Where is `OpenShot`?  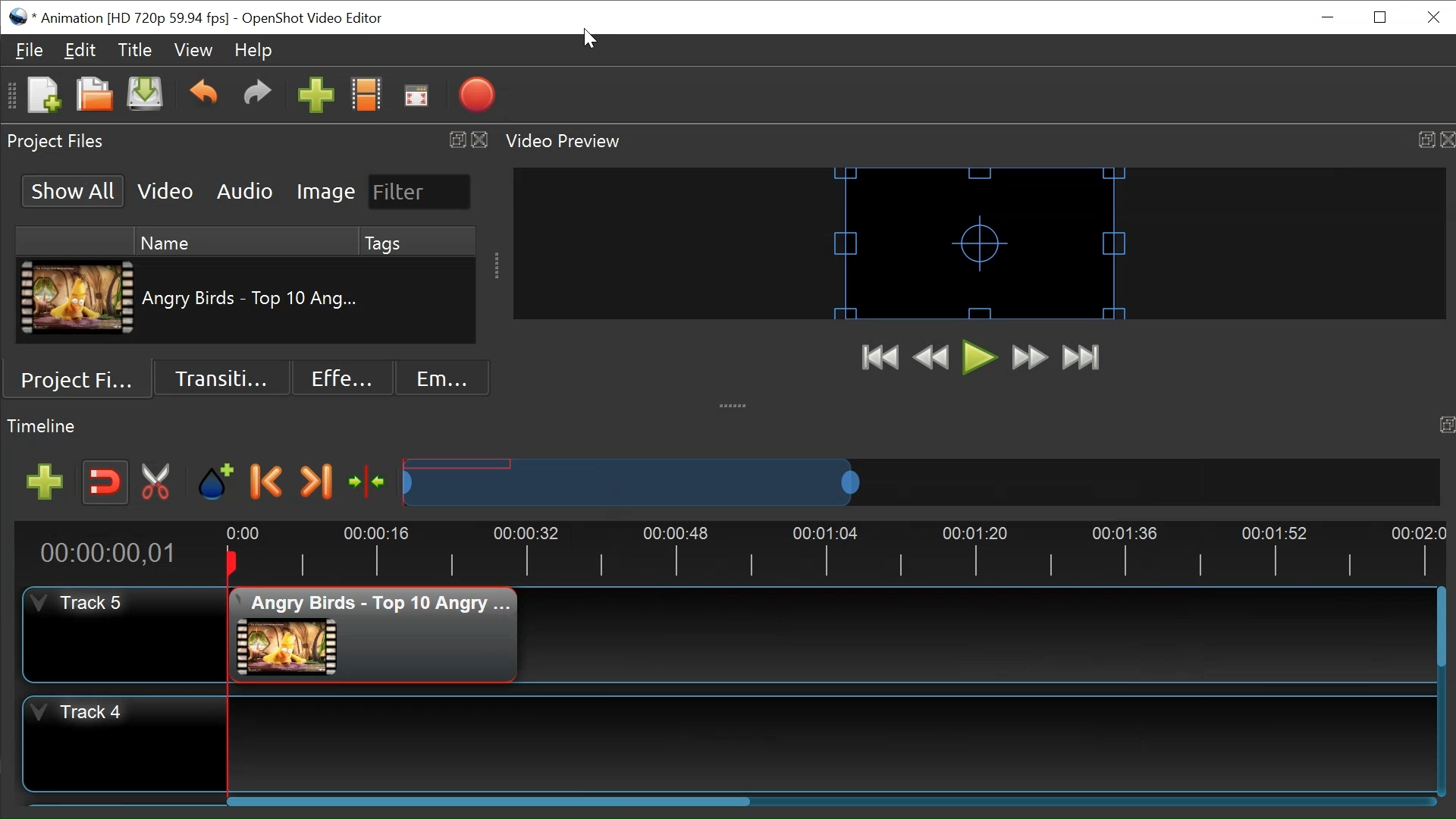 OpenShot is located at coordinates (19, 18).